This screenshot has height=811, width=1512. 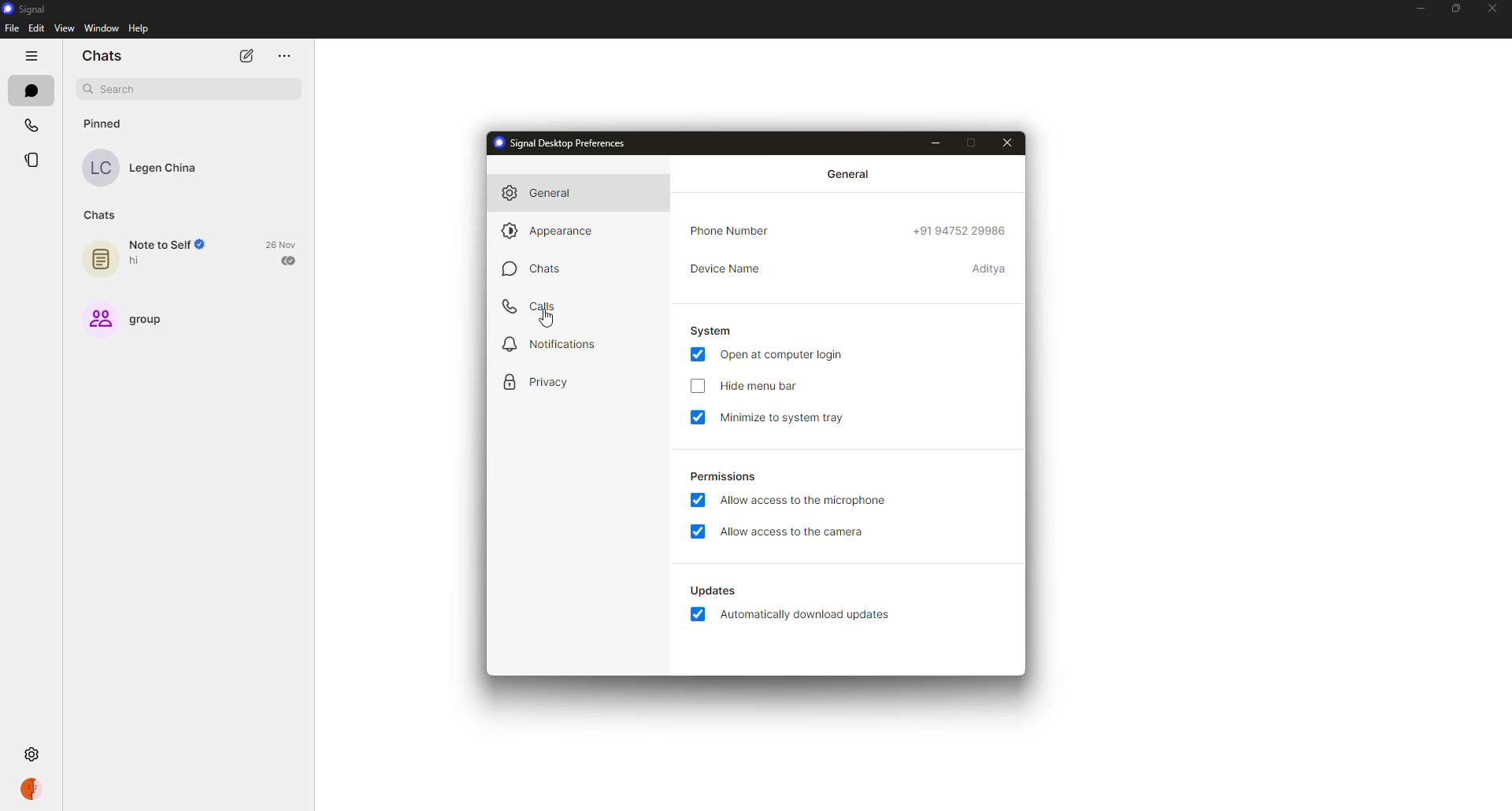 What do you see at coordinates (810, 615) in the screenshot?
I see `automatically download updates` at bounding box center [810, 615].